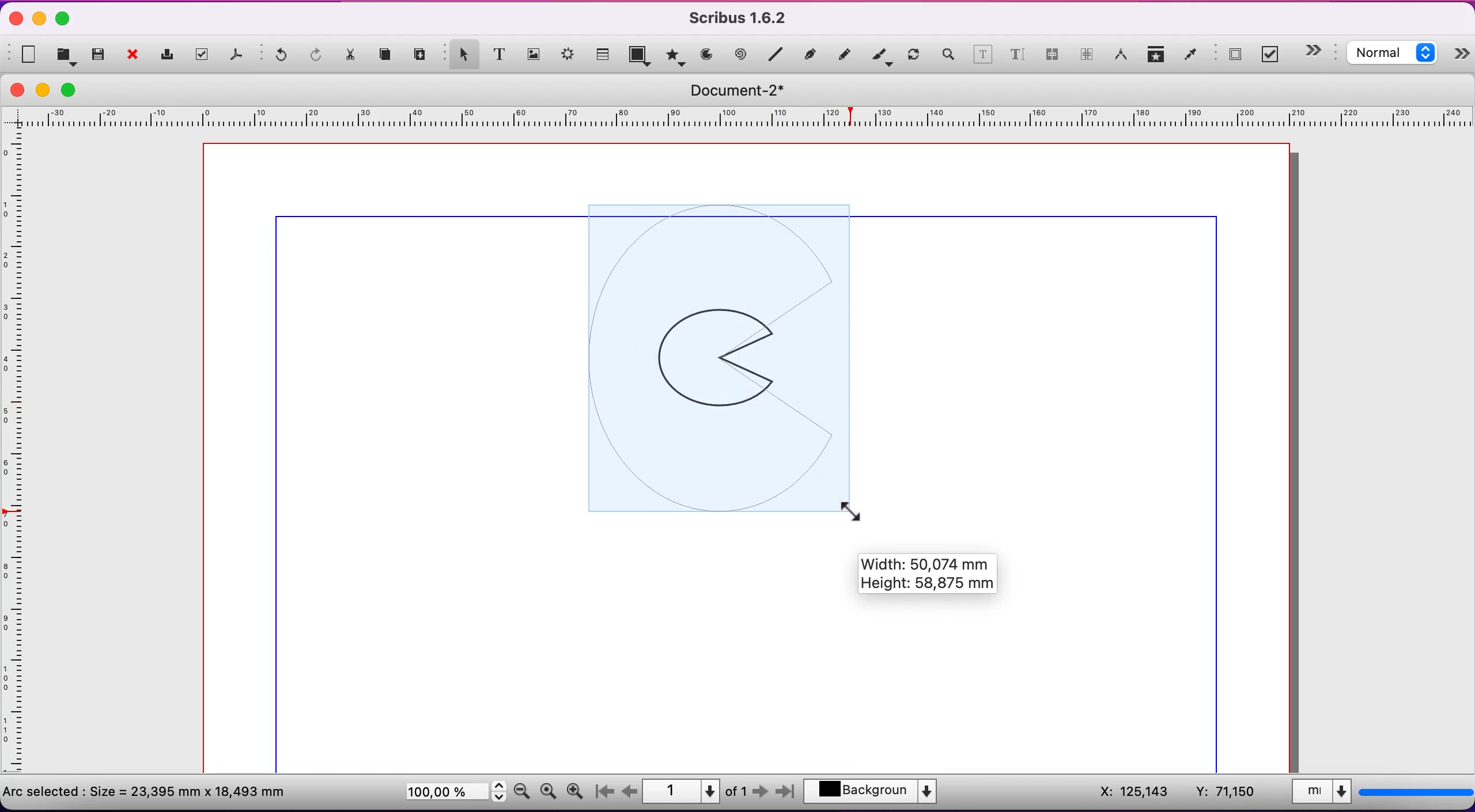 The width and height of the screenshot is (1475, 812). What do you see at coordinates (569, 57) in the screenshot?
I see `render frame` at bounding box center [569, 57].